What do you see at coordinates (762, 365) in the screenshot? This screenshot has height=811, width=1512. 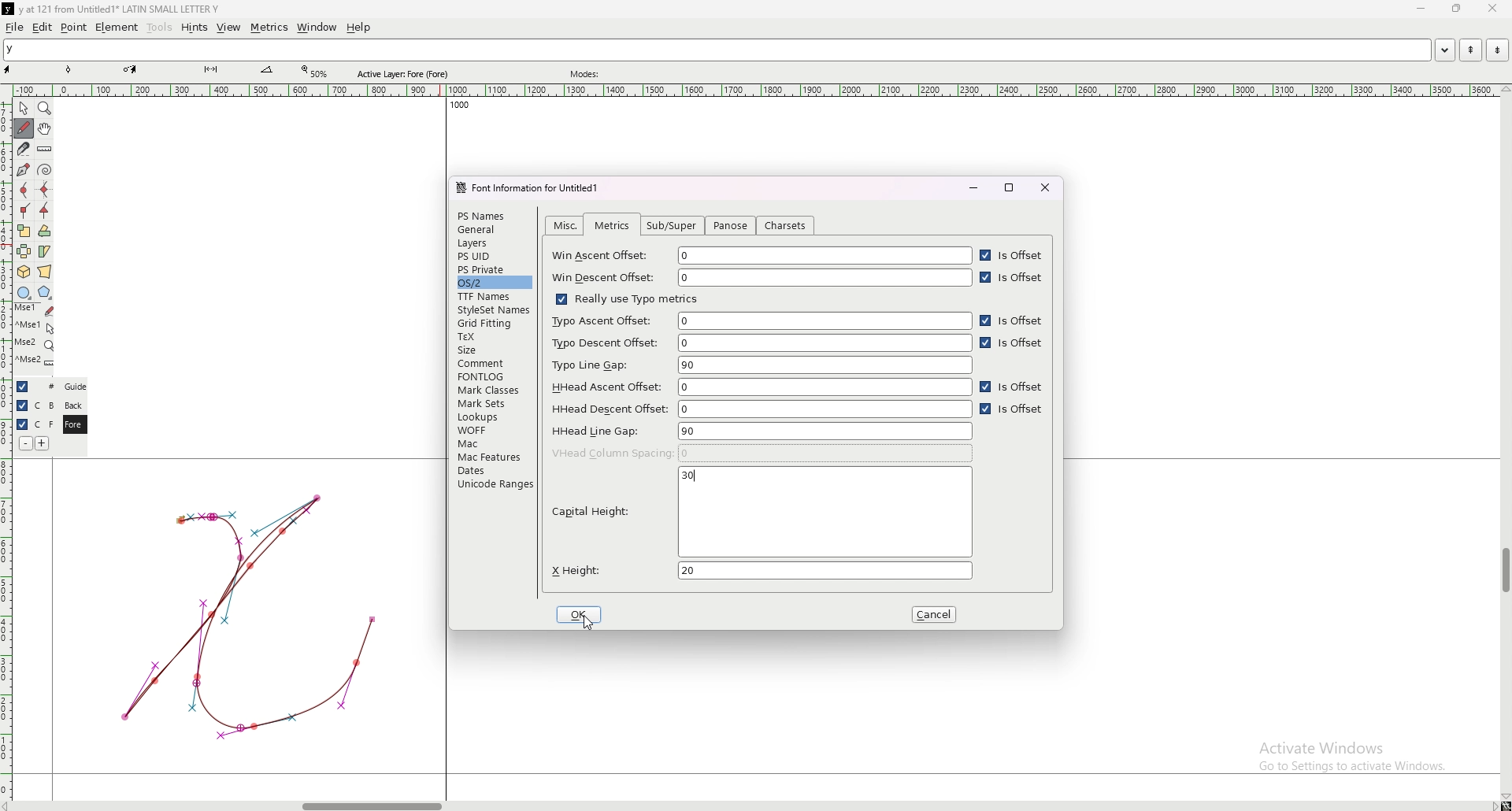 I see `typo line gap 90` at bounding box center [762, 365].